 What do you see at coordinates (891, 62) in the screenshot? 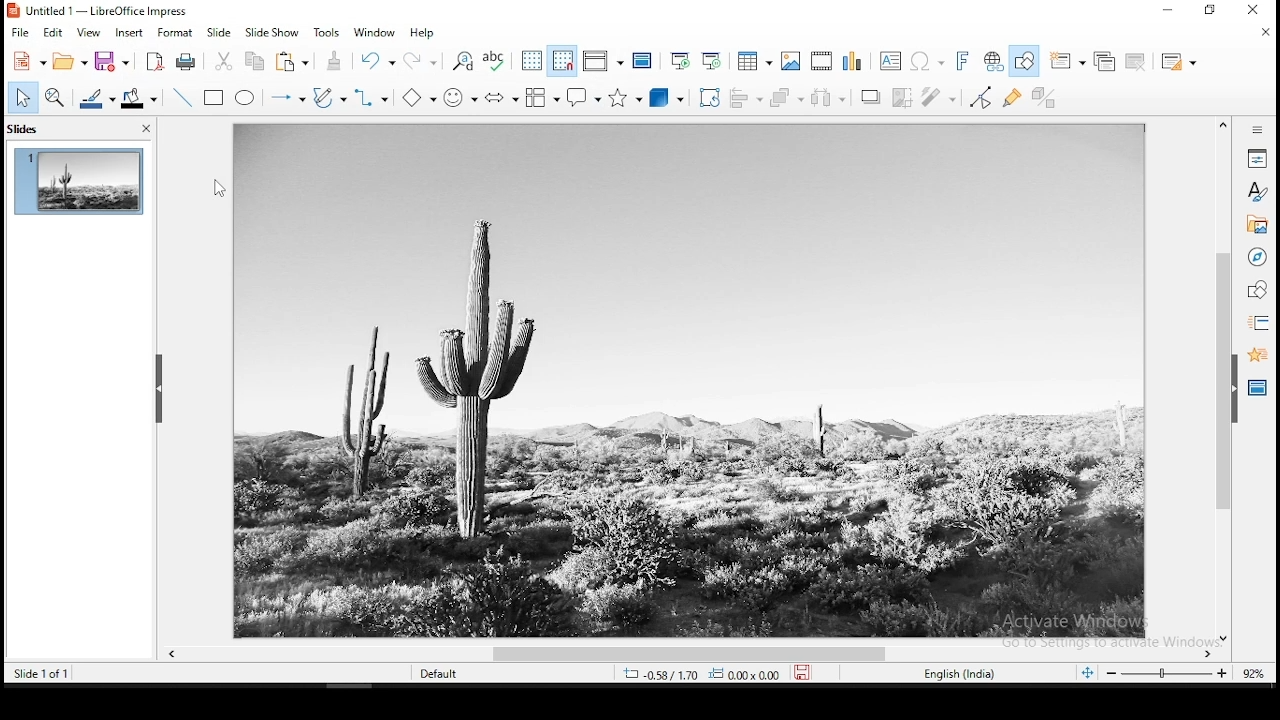
I see `text box` at bounding box center [891, 62].